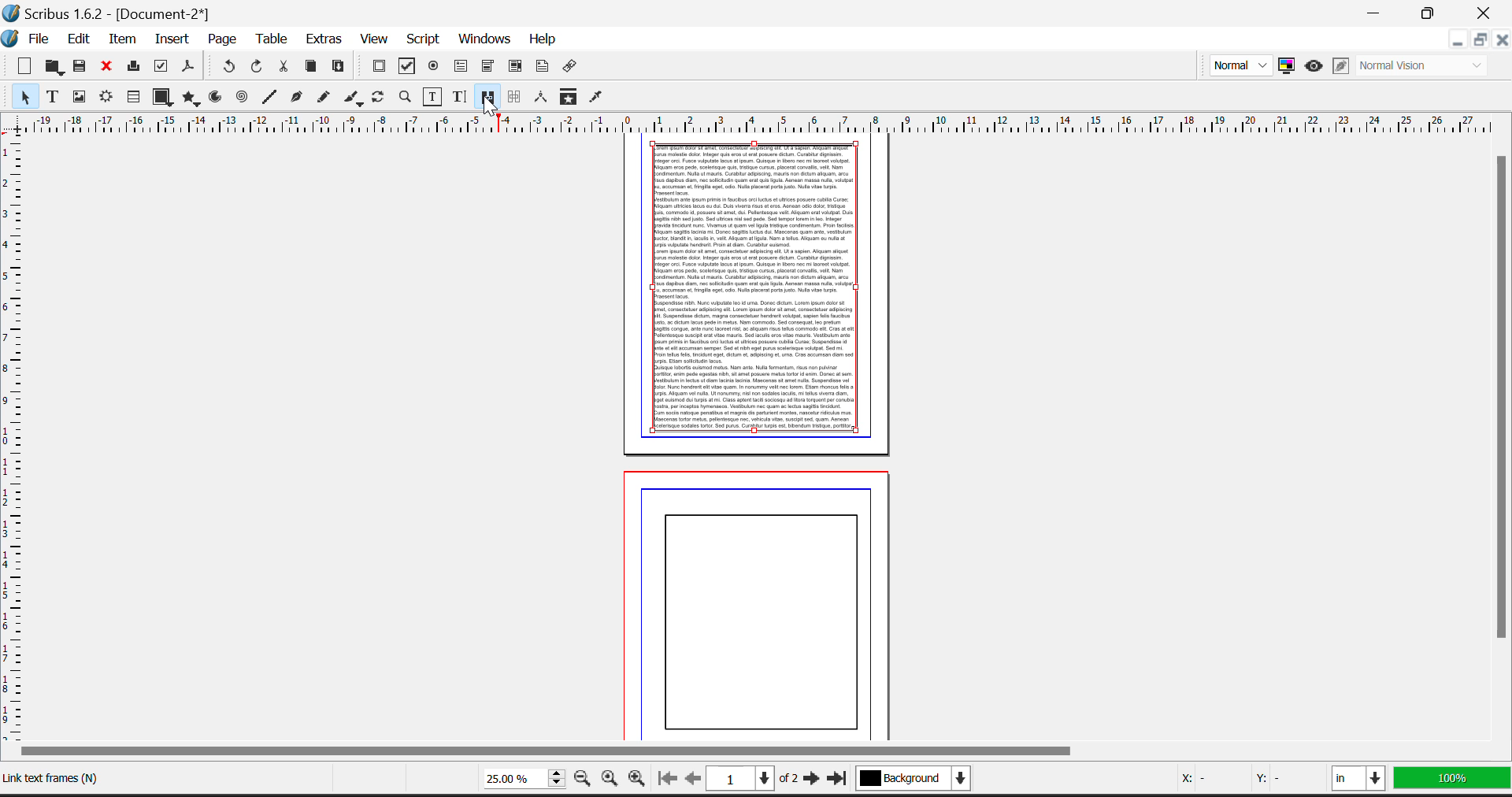 The height and width of the screenshot is (797, 1512). I want to click on Undo, so click(228, 67).